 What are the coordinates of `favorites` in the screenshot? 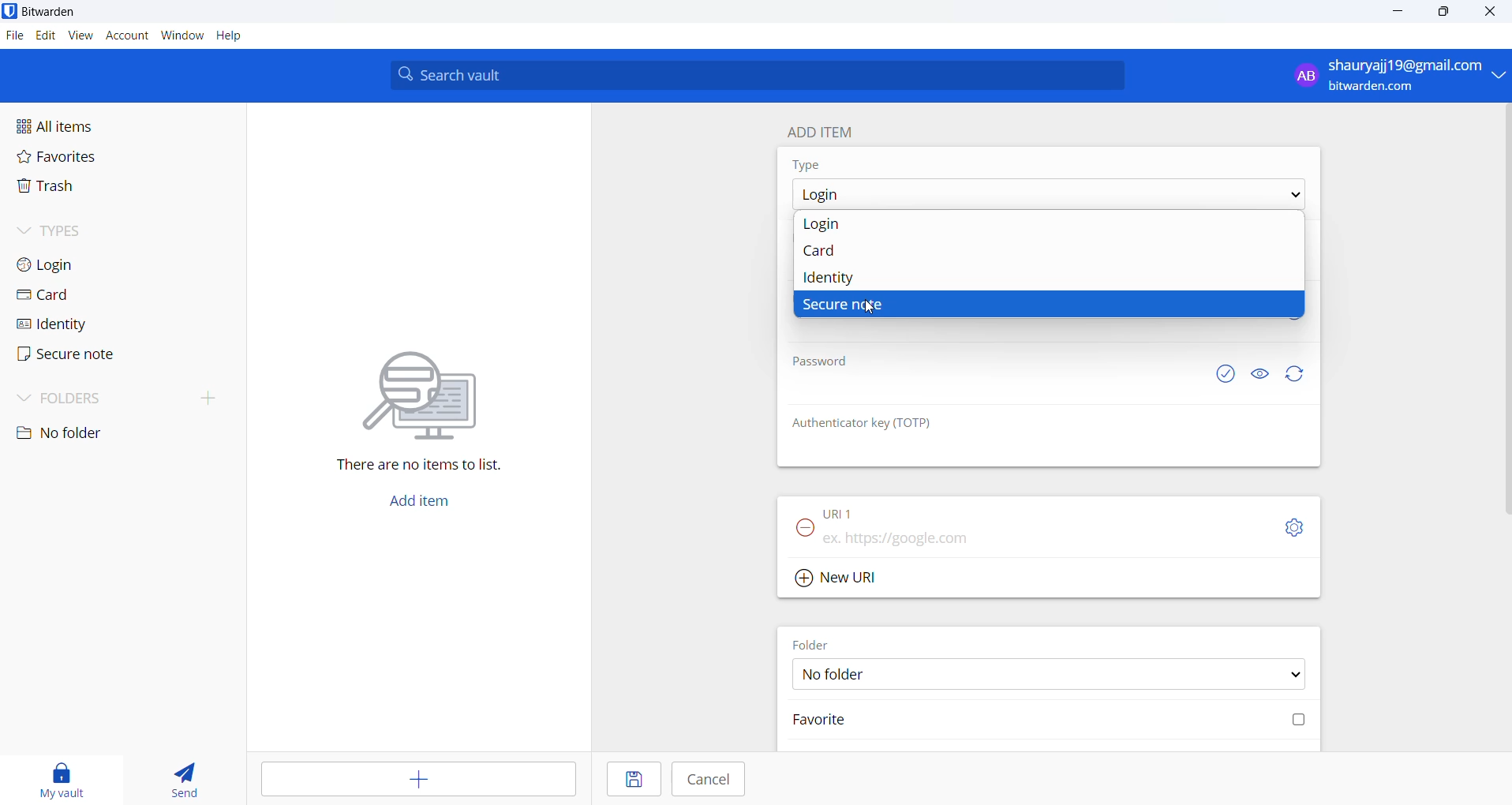 It's located at (80, 159).